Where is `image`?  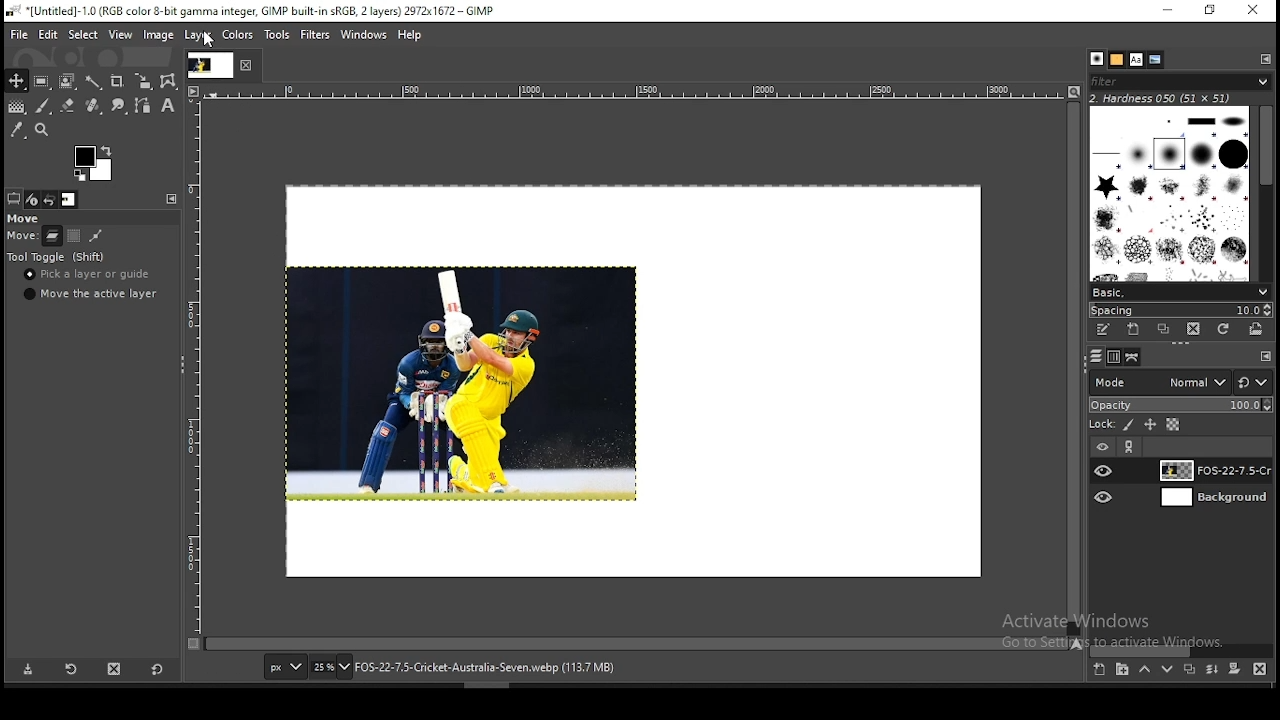 image is located at coordinates (159, 34).